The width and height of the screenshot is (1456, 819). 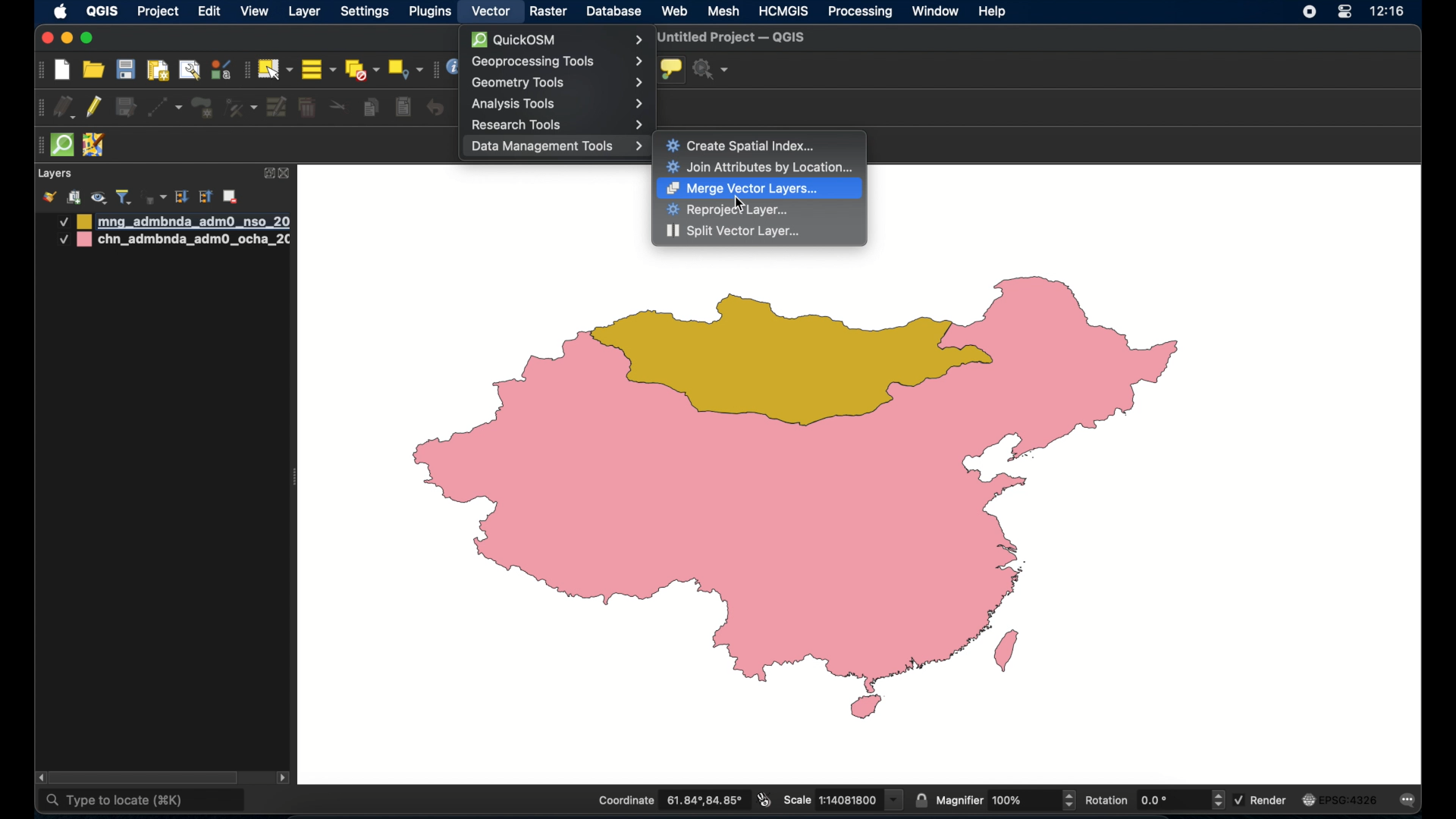 I want to click on copy features, so click(x=371, y=109).